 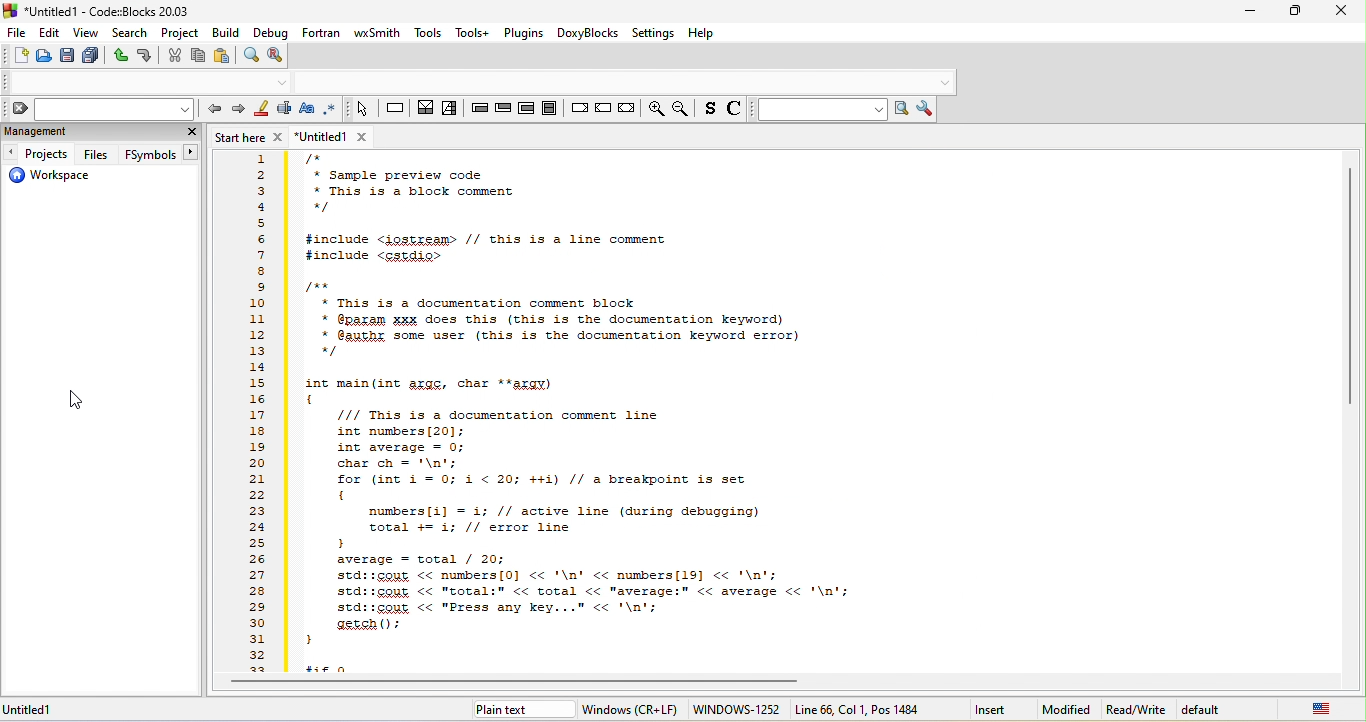 I want to click on code, so click(x=780, y=410).